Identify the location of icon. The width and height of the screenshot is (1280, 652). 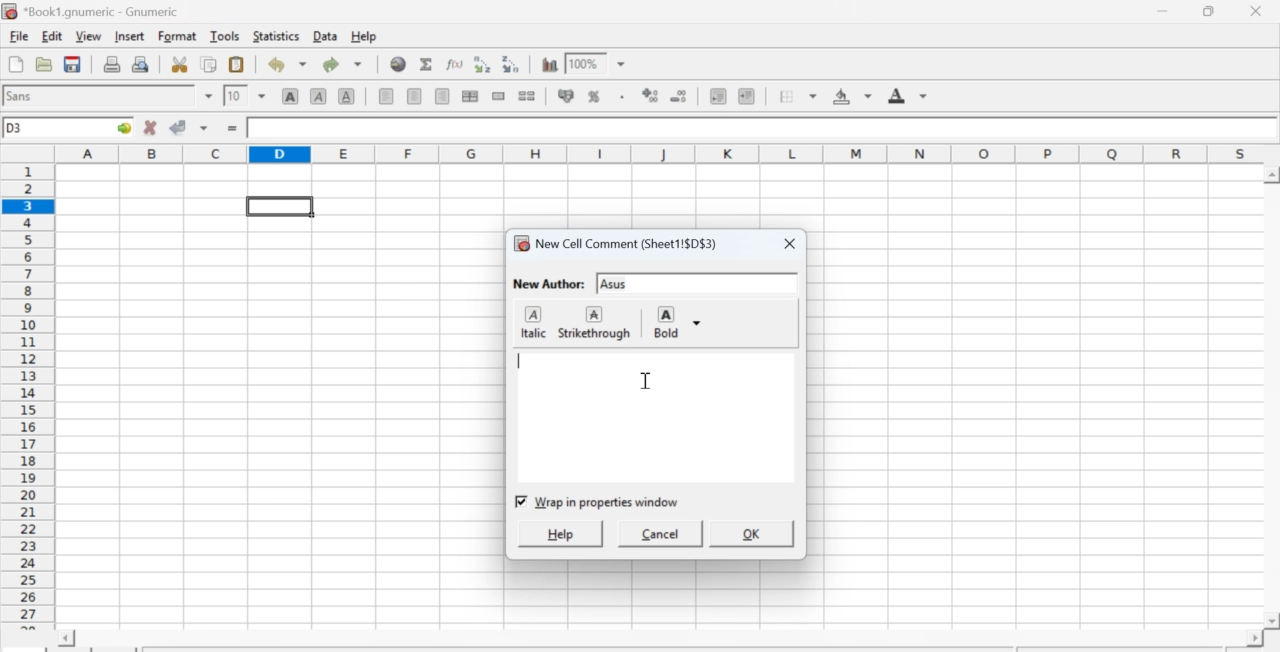
(522, 244).